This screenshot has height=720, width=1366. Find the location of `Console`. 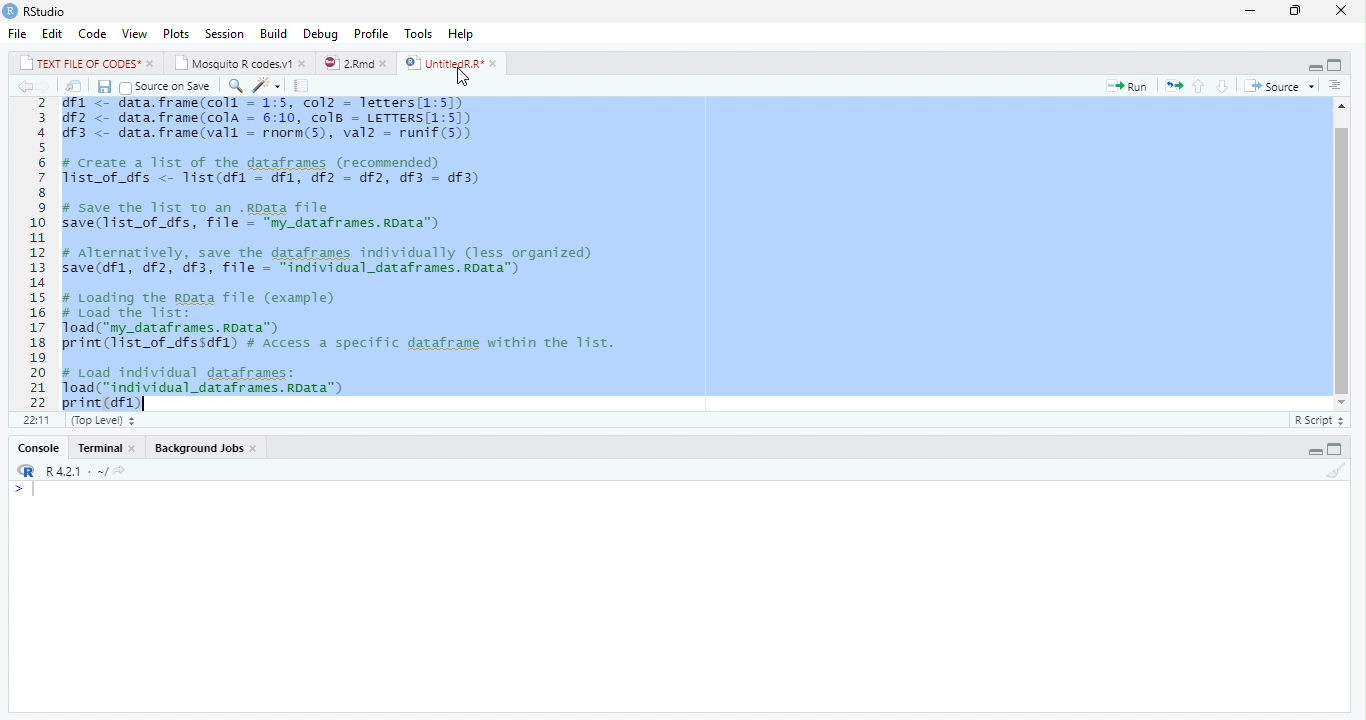

Console is located at coordinates (680, 597).